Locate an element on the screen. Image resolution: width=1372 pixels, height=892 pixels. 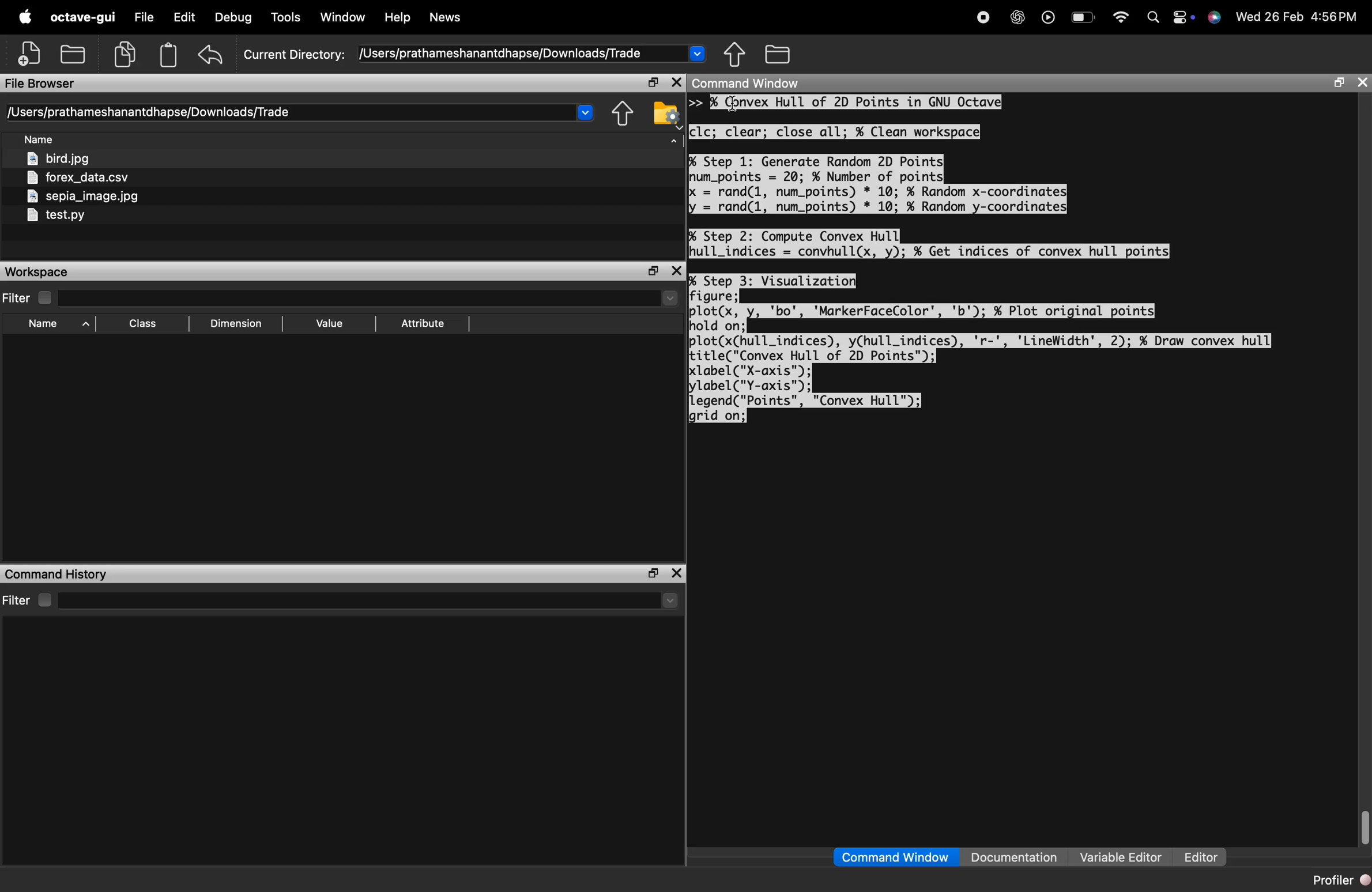
% Step 3: Visualizatio

figure;

plot(x, 'bo', 'MarkerFaceColor', 'b'); % Plot original points

hold on;

plot(xChull_indices), yChull_indices), 'r-', 'LineWidth', 2); %¥ Draw convex hull
title("Convex Hull of 2D Points");

label ("X-axis");

lylabel("Y-axis");

Llegend("Points", "Convex Hull");

grid on; is located at coordinates (981, 349).